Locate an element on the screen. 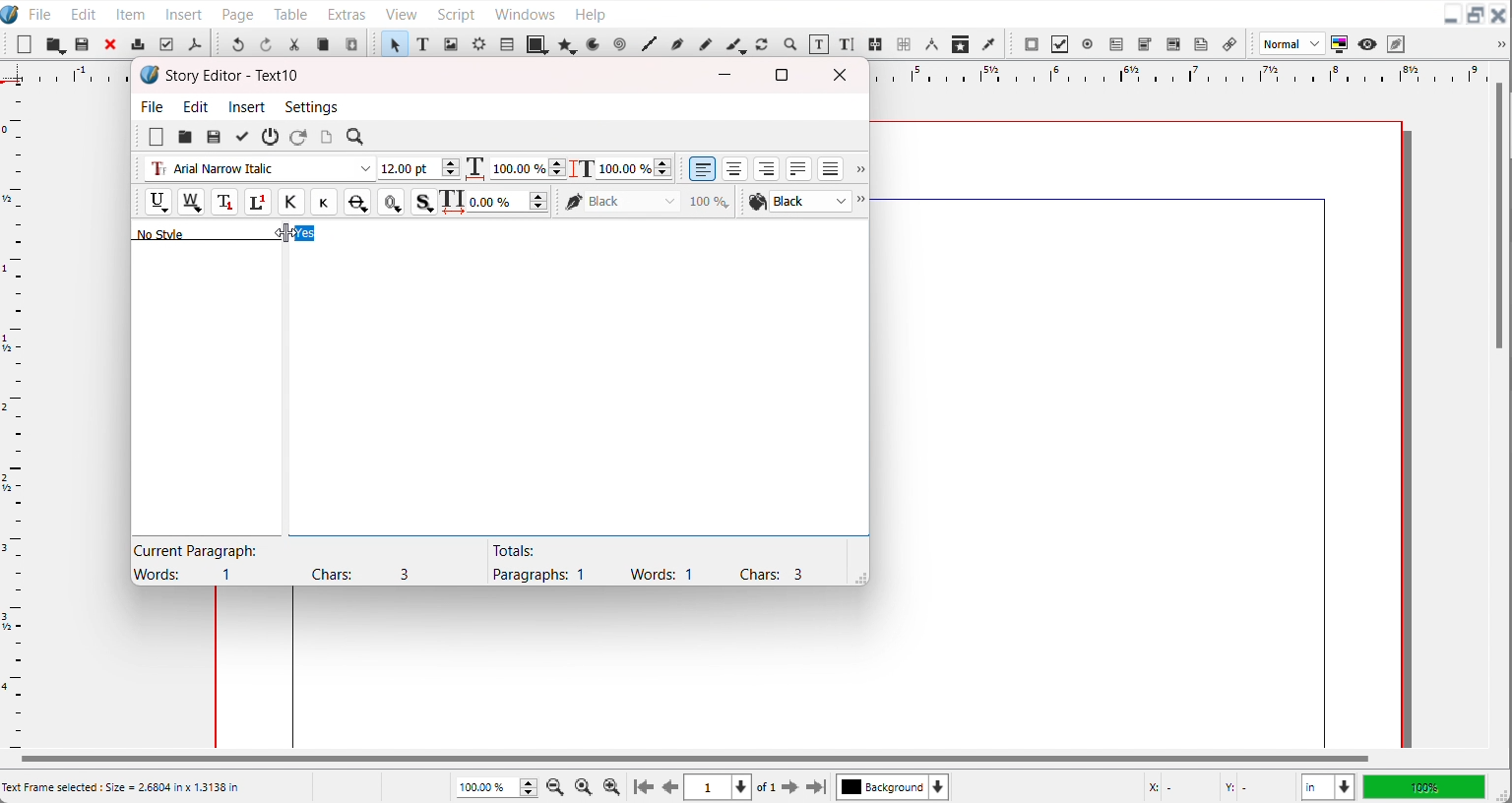 The image size is (1512, 803). Outline is located at coordinates (391, 202).